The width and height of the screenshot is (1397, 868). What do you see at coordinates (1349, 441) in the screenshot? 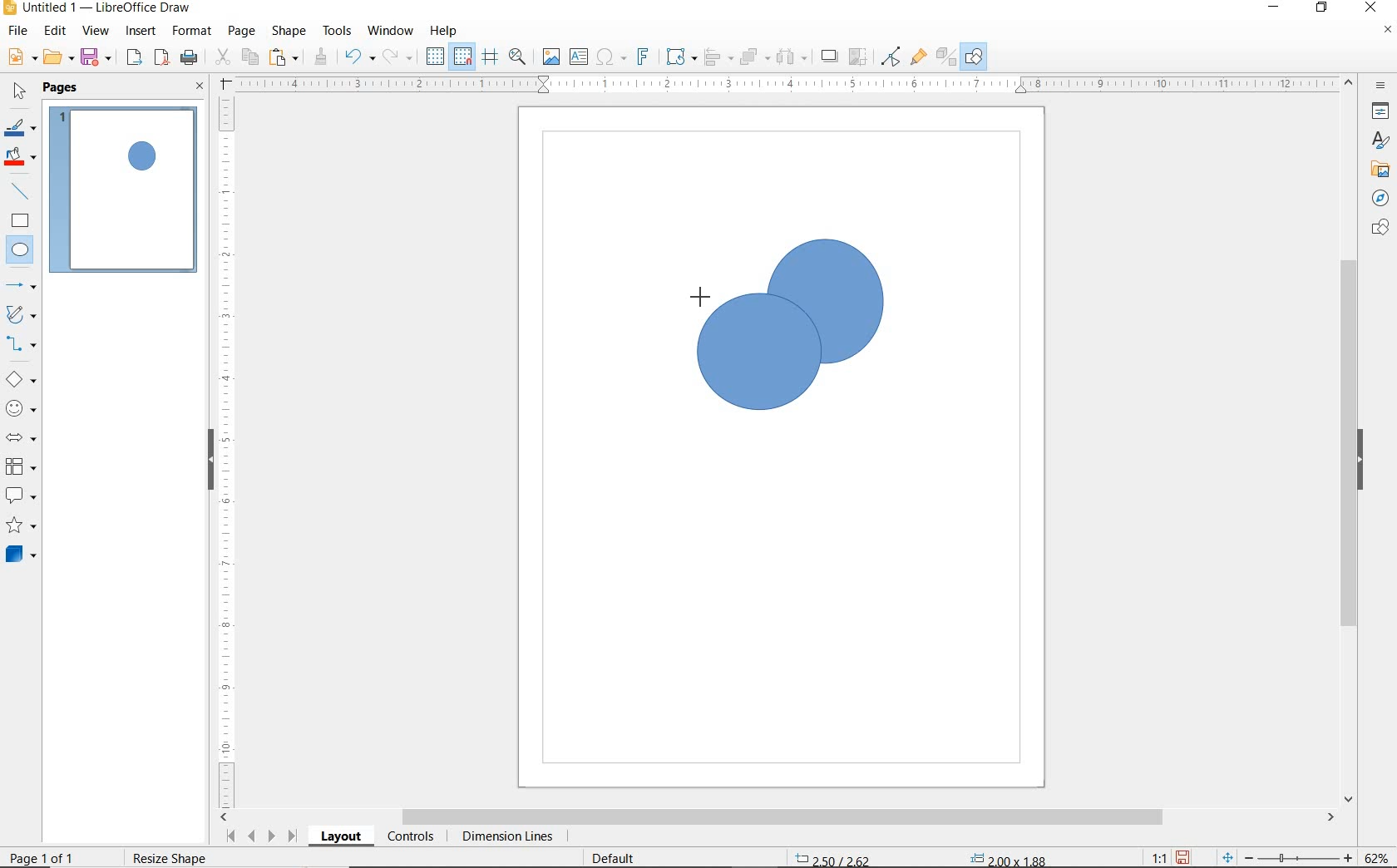
I see `SCROLLBAR` at bounding box center [1349, 441].